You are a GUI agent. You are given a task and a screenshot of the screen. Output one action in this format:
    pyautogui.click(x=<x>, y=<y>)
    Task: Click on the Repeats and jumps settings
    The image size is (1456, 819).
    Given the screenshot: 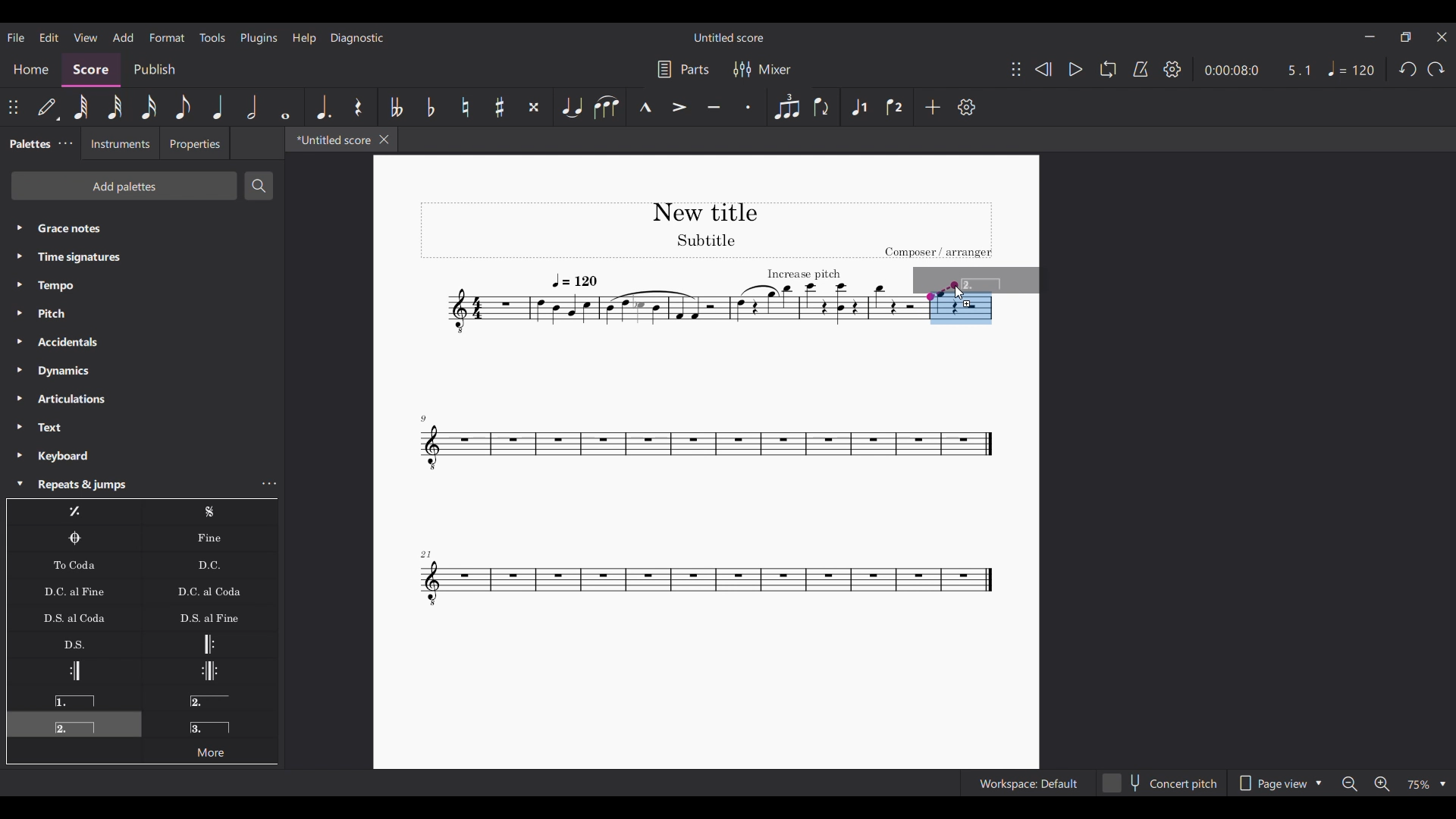 What is the action you would take?
    pyautogui.click(x=270, y=483)
    